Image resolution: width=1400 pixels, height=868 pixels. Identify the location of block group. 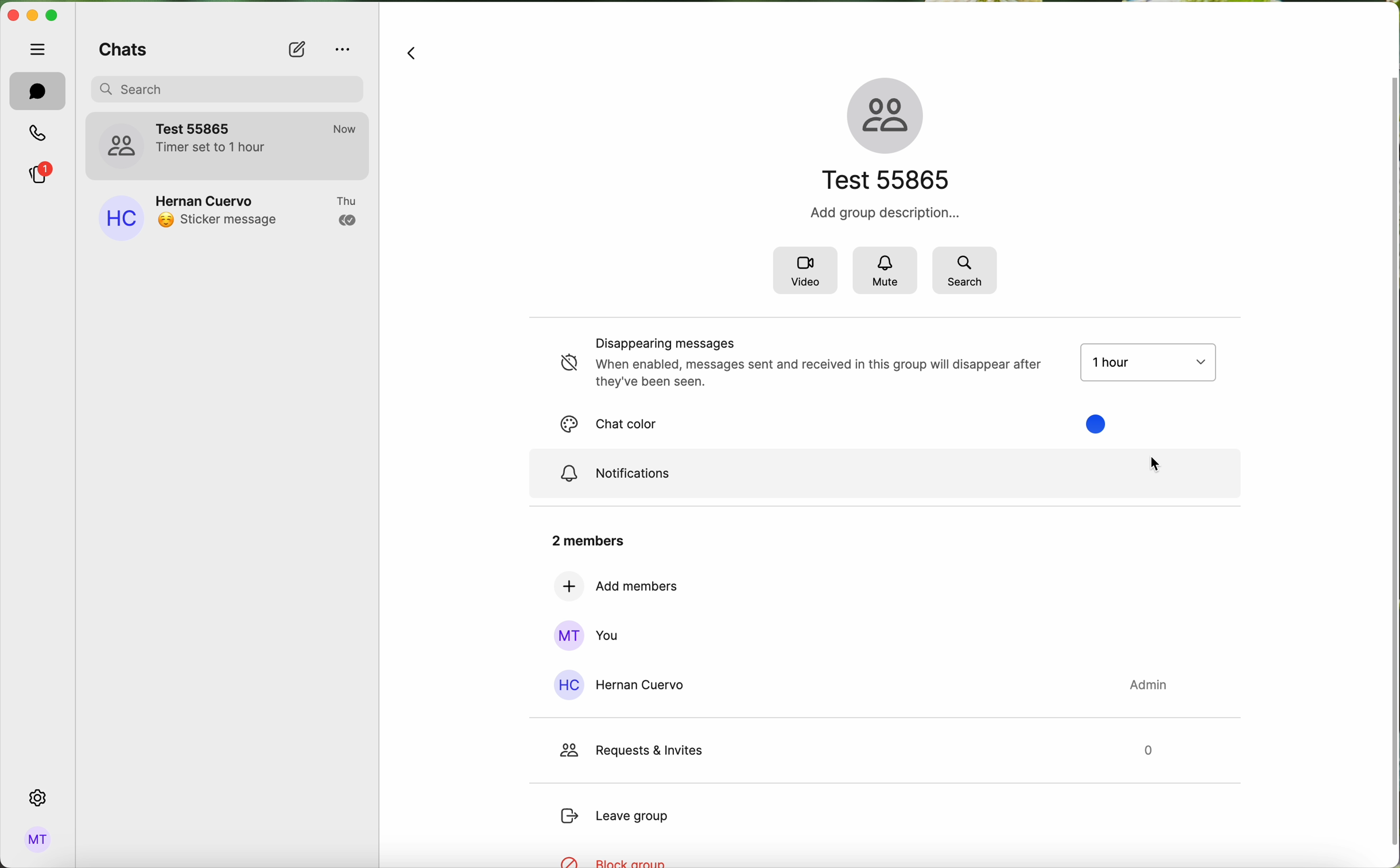
(619, 862).